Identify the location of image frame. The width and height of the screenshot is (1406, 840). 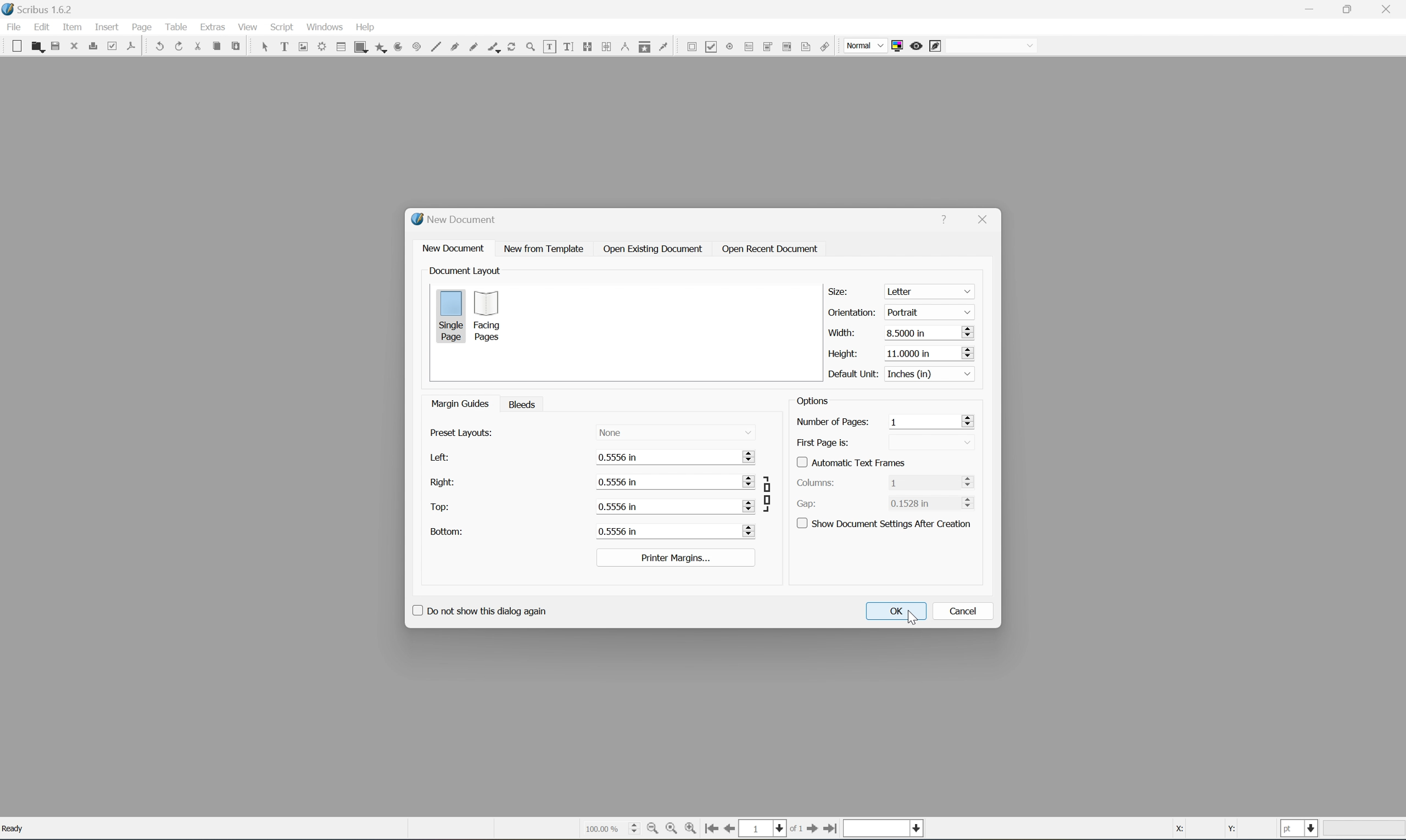
(303, 46).